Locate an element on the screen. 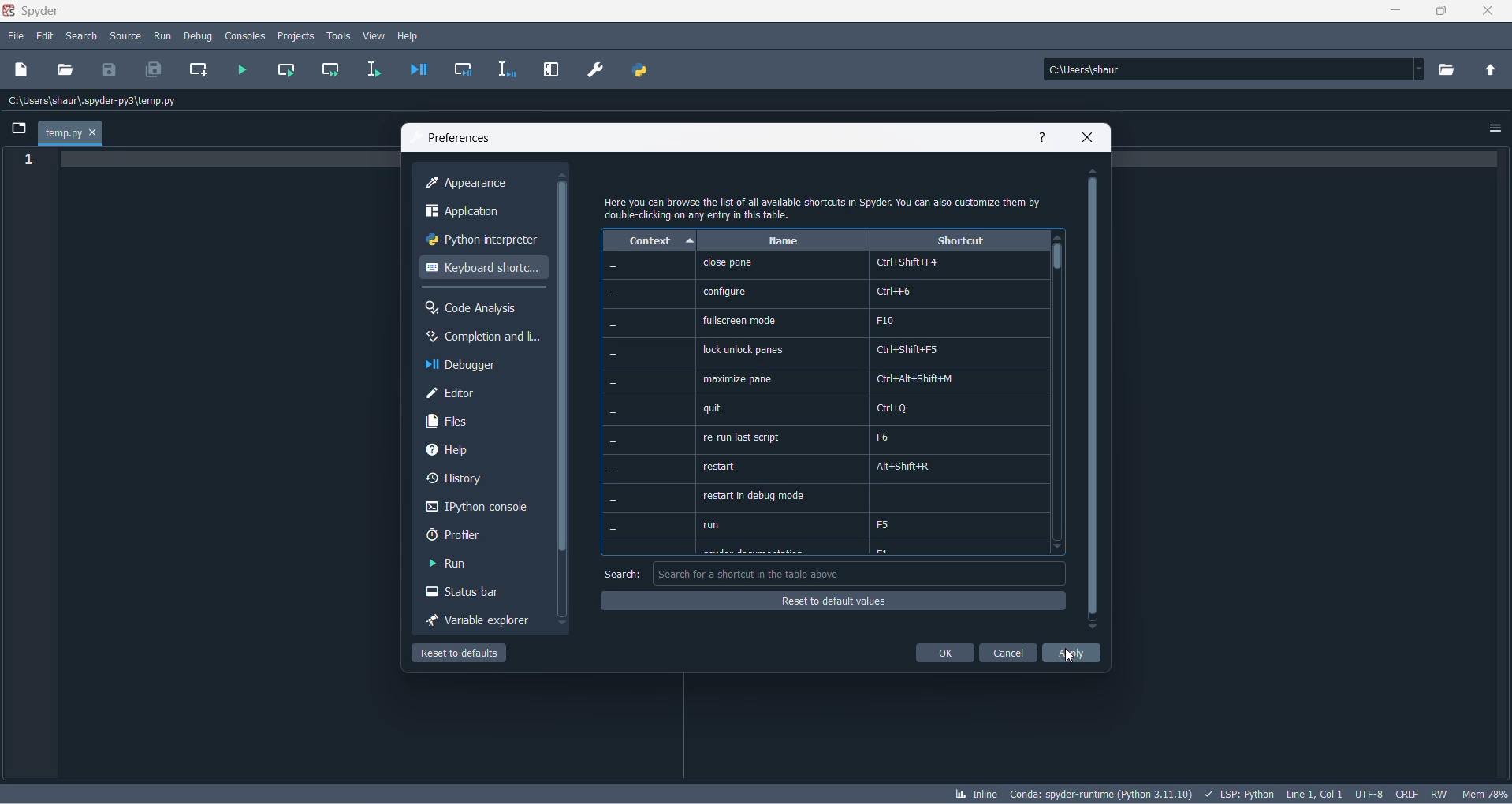 The image size is (1512, 804). lock unlock panes is located at coordinates (747, 349).